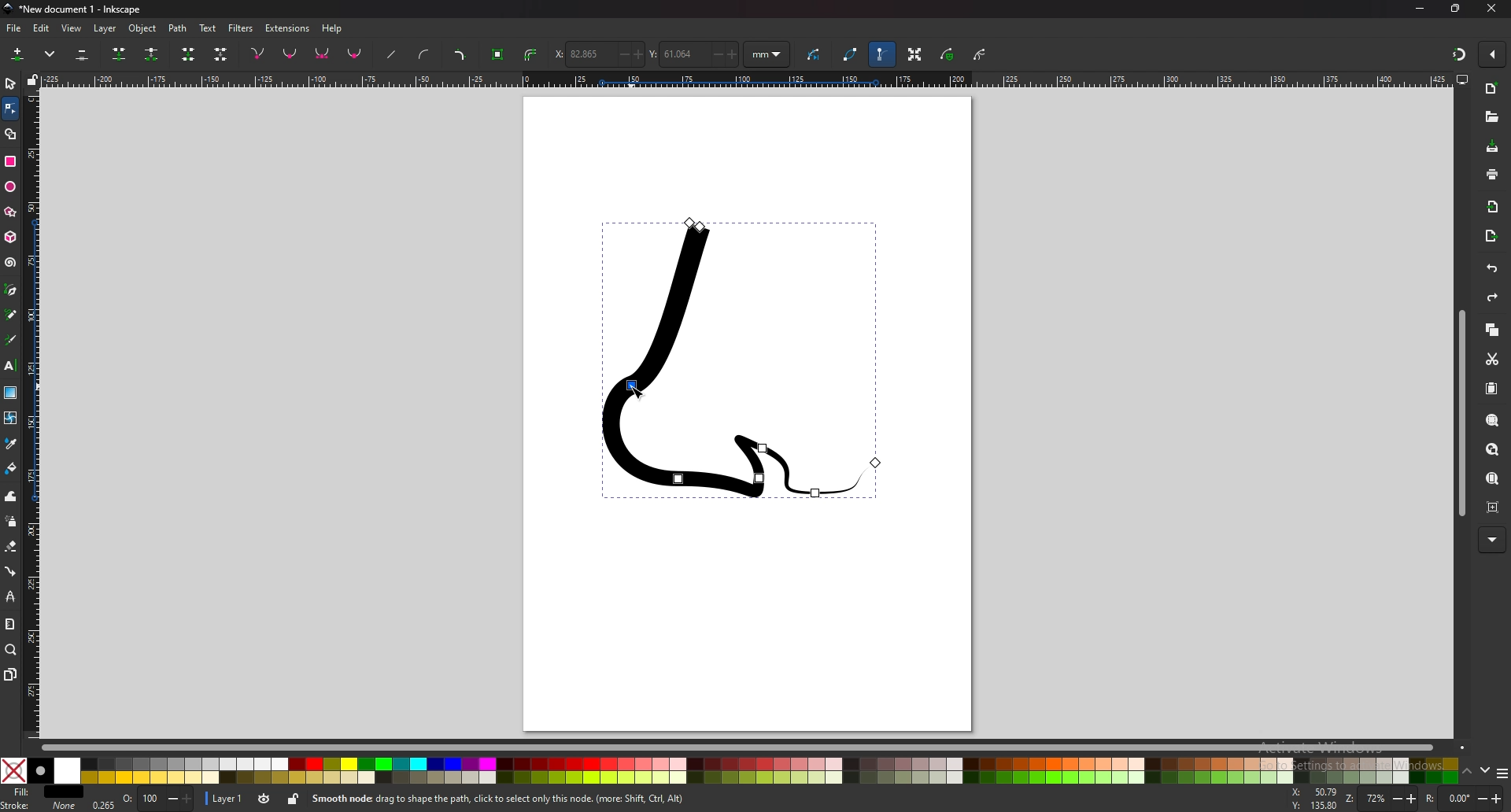 This screenshot has width=1511, height=812. Describe the element at coordinates (500, 53) in the screenshot. I see `object to path` at that location.